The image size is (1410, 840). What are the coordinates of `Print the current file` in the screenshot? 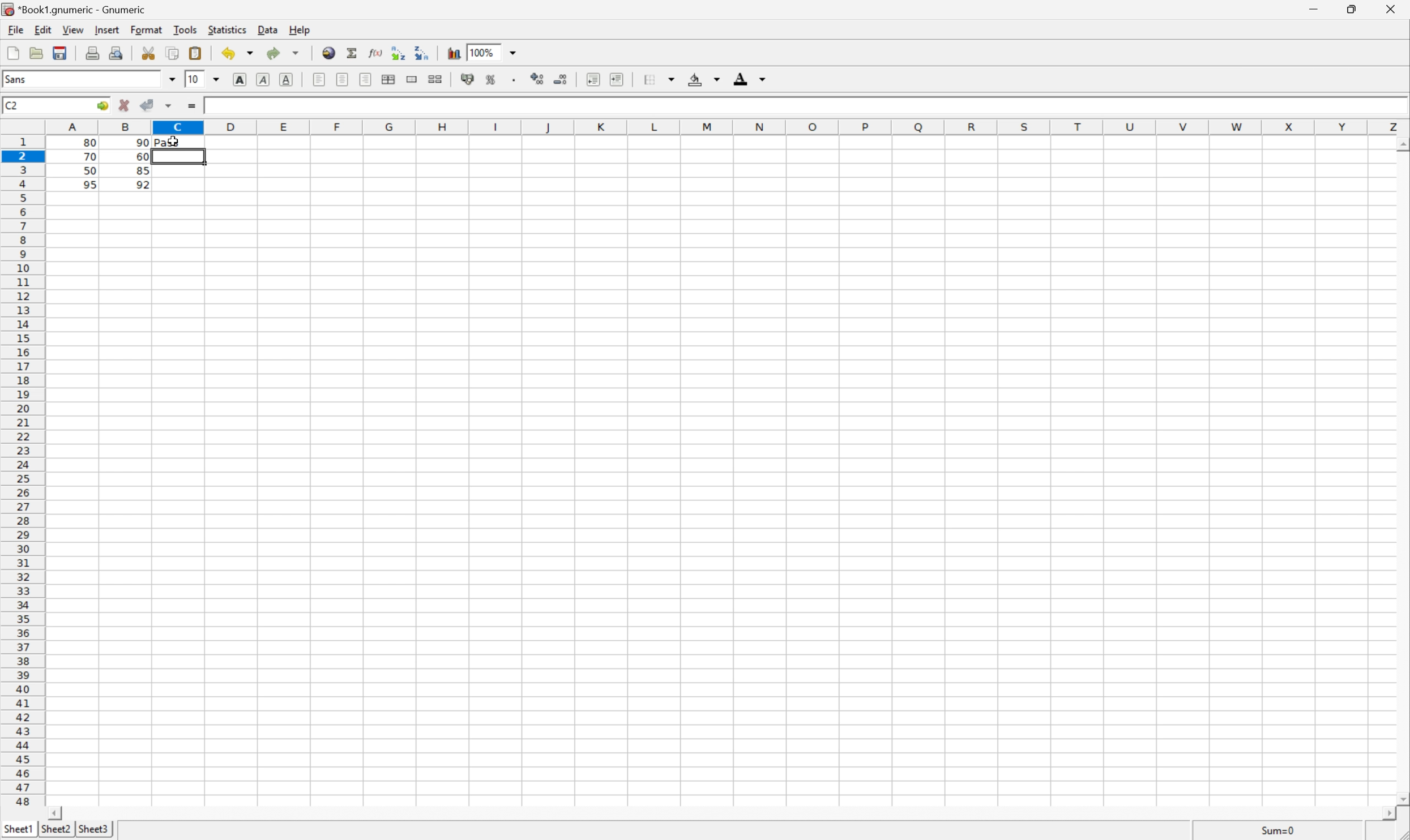 It's located at (91, 53).